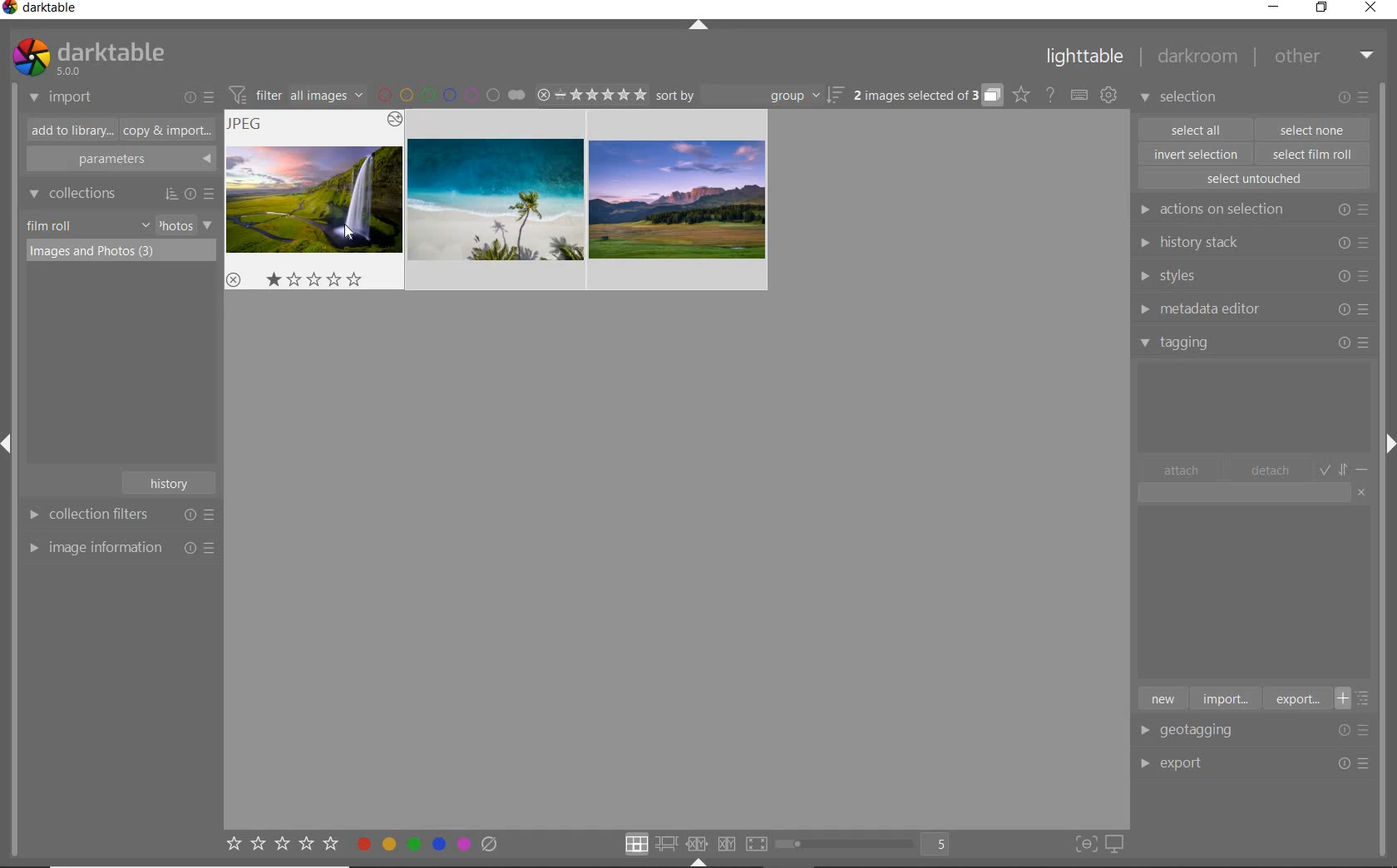 The width and height of the screenshot is (1397, 868). I want to click on range ratings of selected images, so click(591, 92).